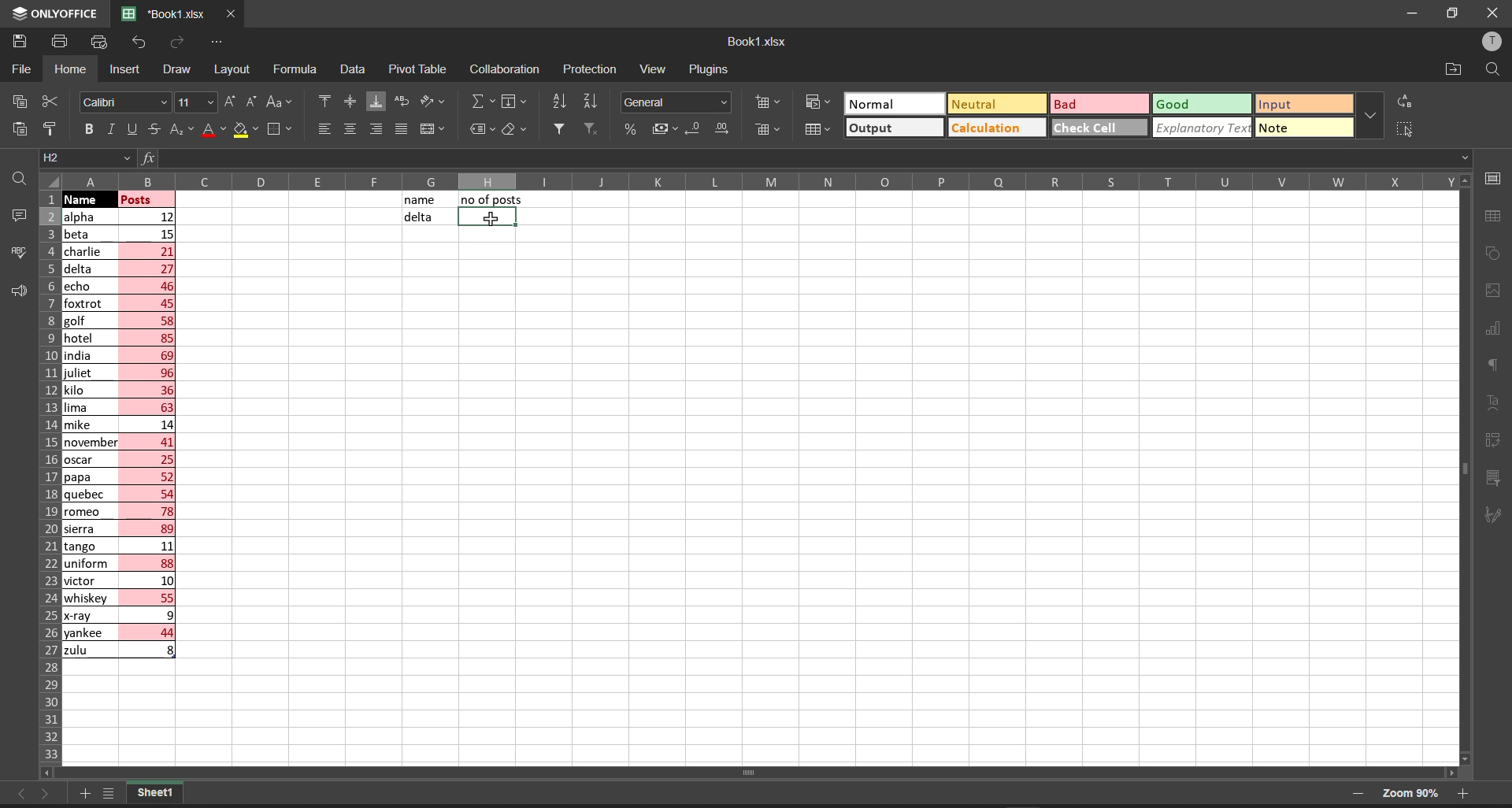  Describe the element at coordinates (480, 102) in the screenshot. I see `summation` at that location.